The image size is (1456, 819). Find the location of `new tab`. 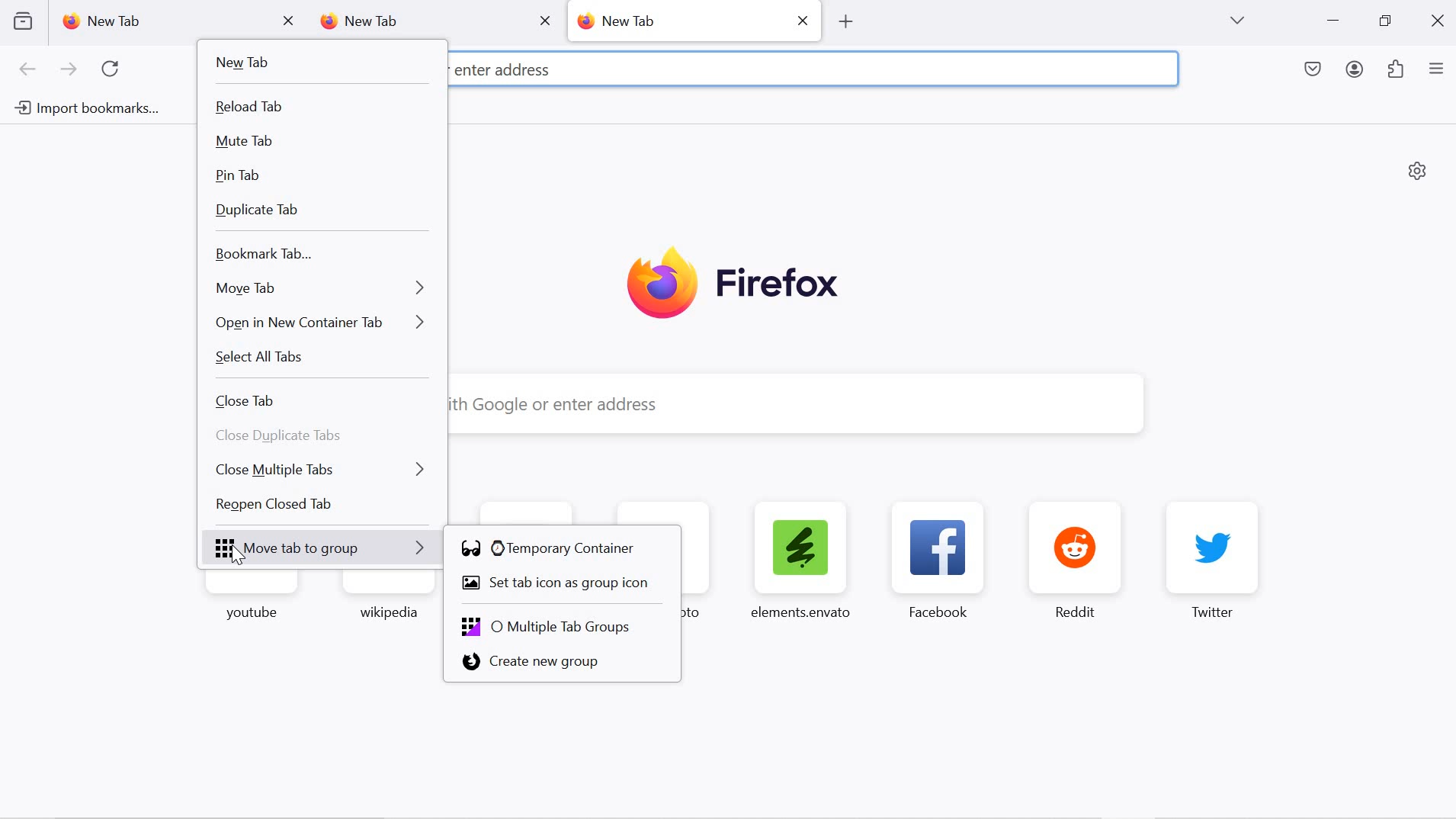

new tab is located at coordinates (413, 22).